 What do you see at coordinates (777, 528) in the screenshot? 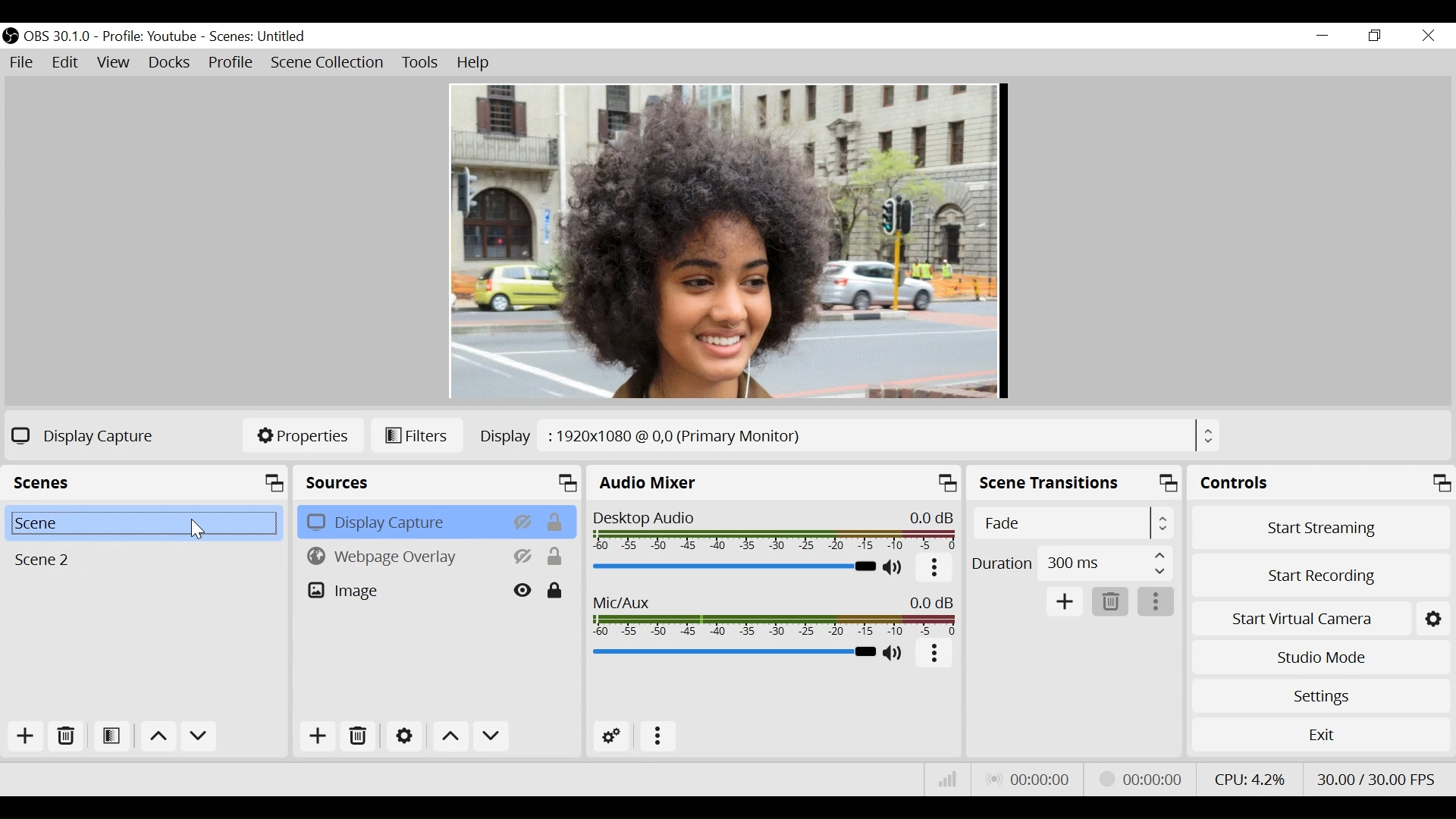
I see `Desktop Audio` at bounding box center [777, 528].